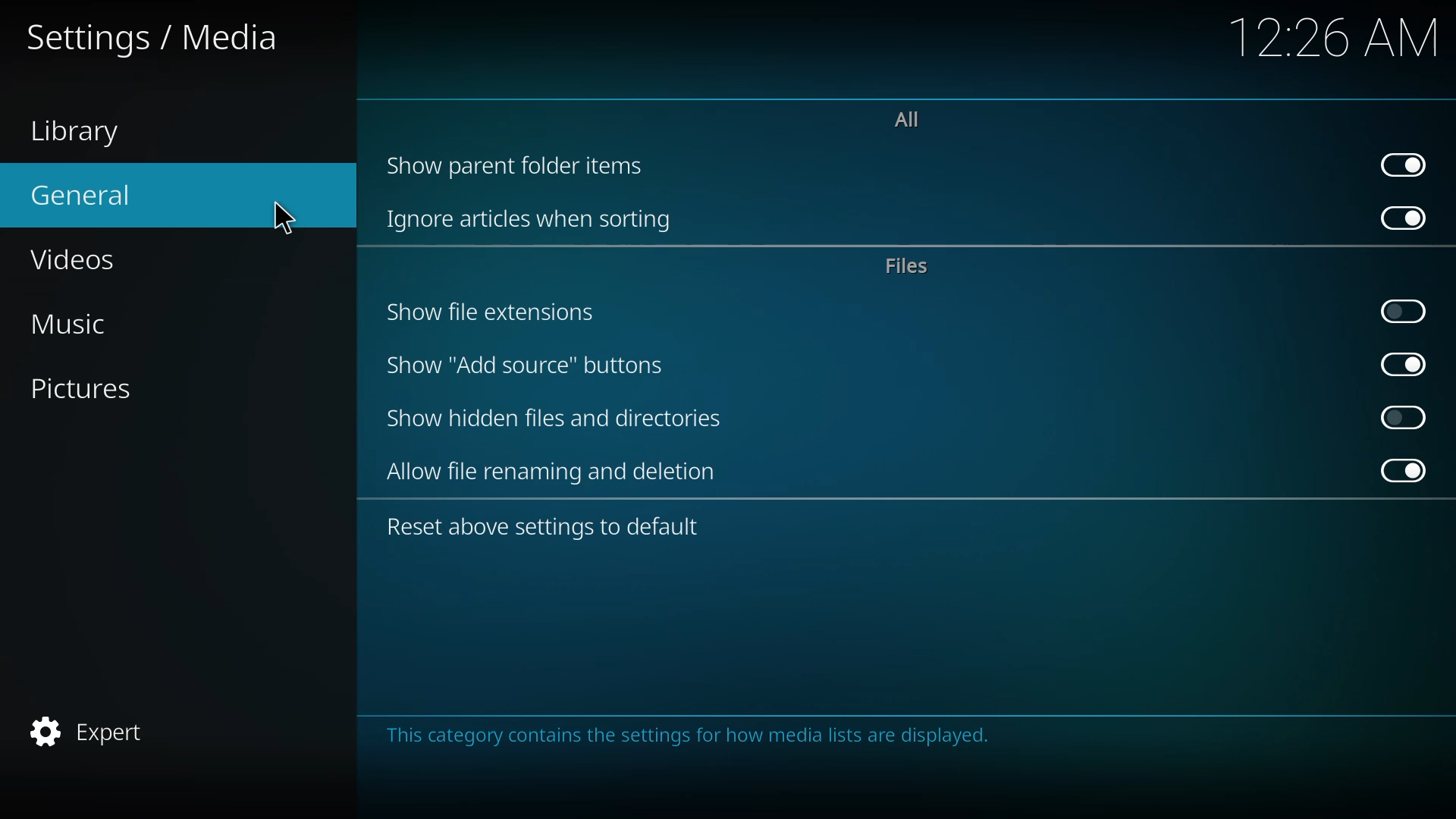  I want to click on info, so click(697, 736).